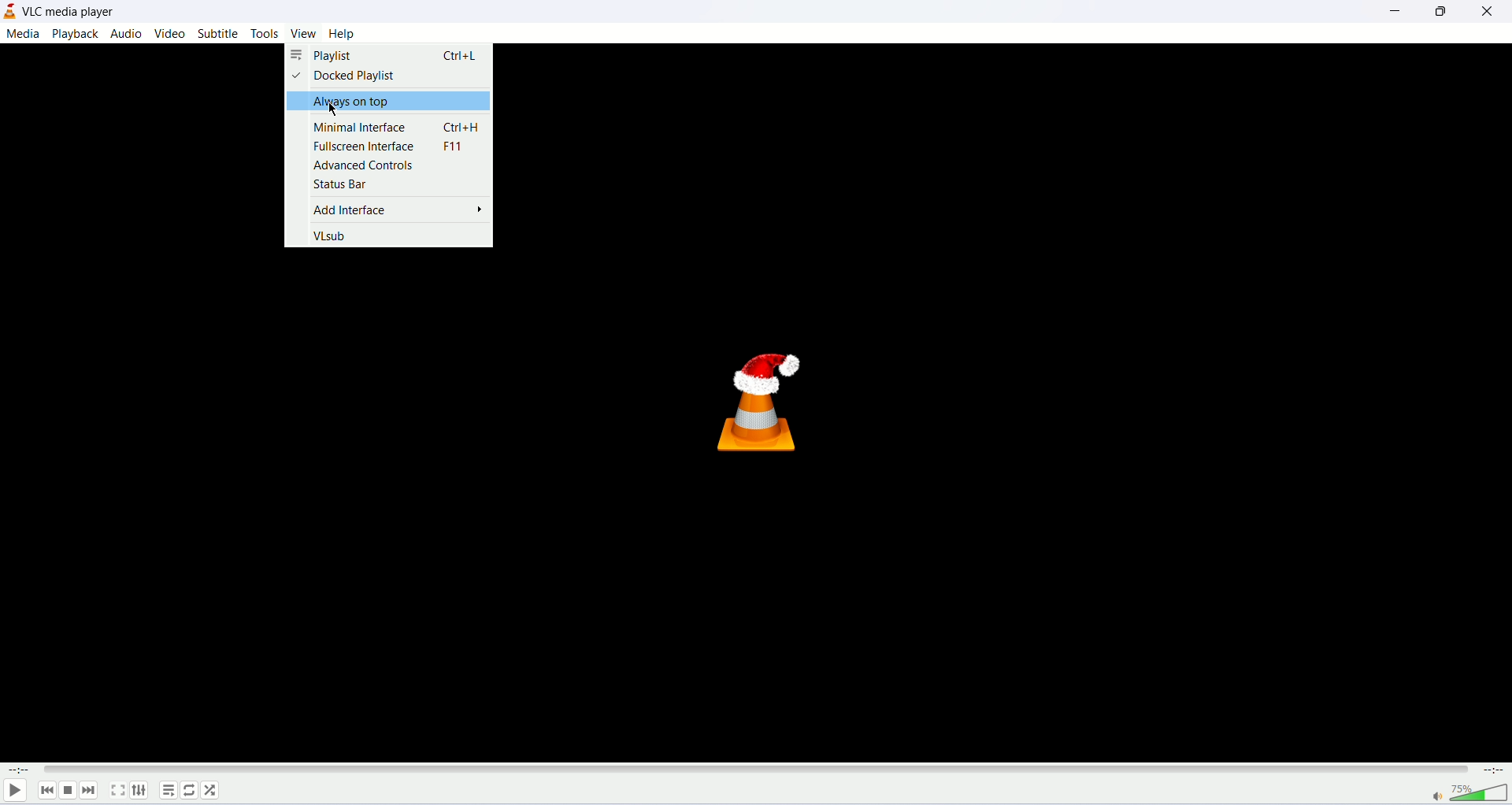 The width and height of the screenshot is (1512, 805). I want to click on stop, so click(67, 790).